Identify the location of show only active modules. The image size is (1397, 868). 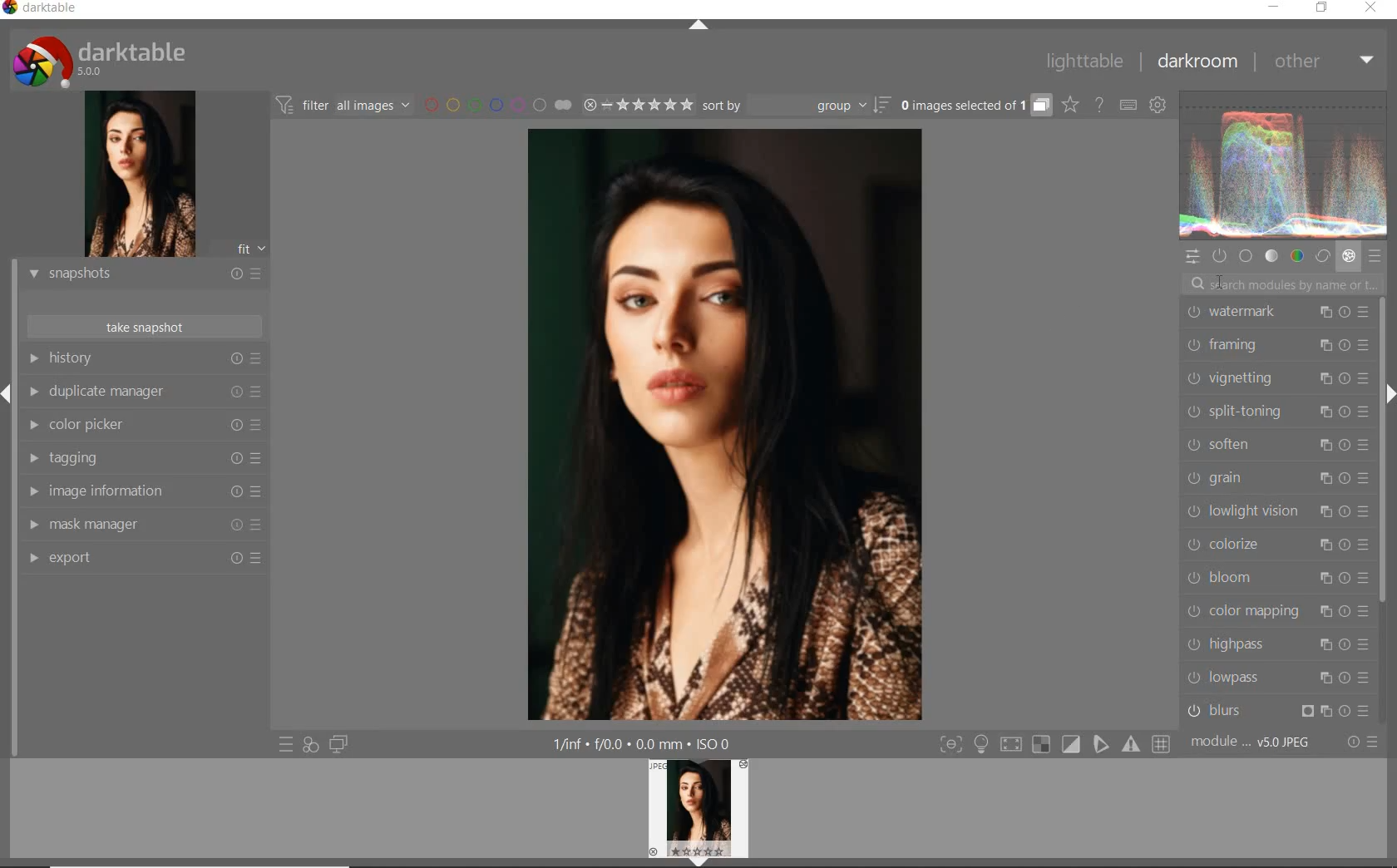
(1220, 256).